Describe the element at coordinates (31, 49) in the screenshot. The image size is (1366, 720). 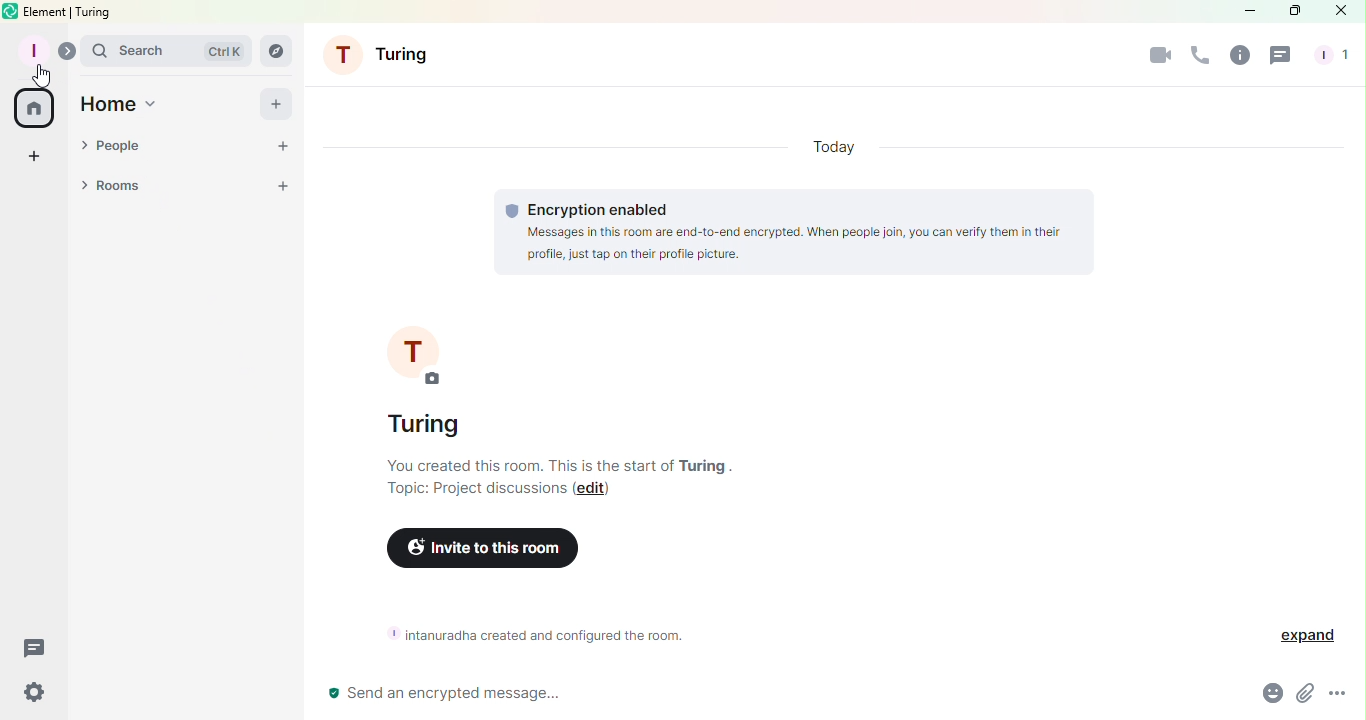
I see `Profile` at that location.